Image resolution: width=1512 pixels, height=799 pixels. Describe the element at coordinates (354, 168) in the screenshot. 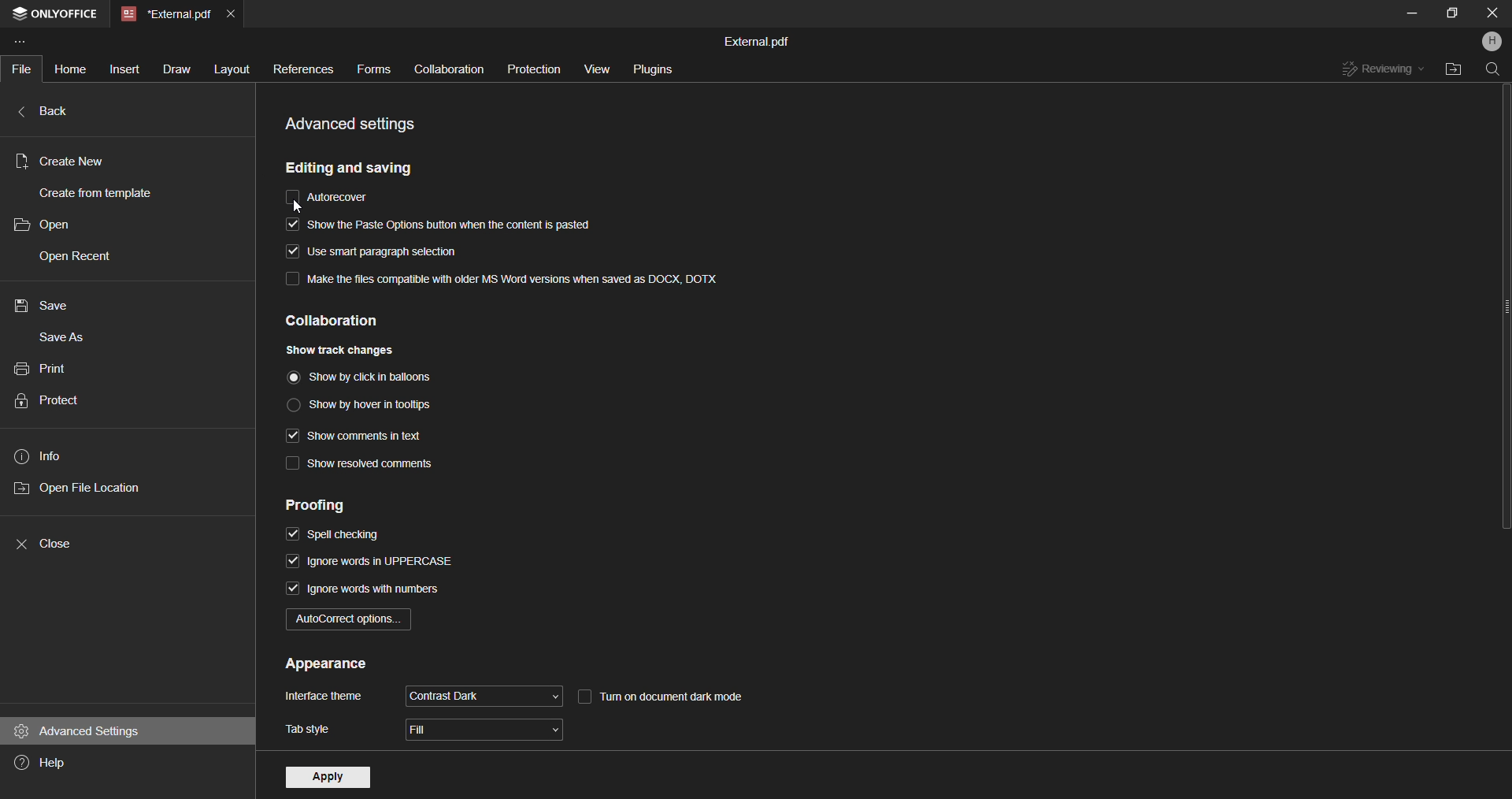

I see `editing and savings` at that location.